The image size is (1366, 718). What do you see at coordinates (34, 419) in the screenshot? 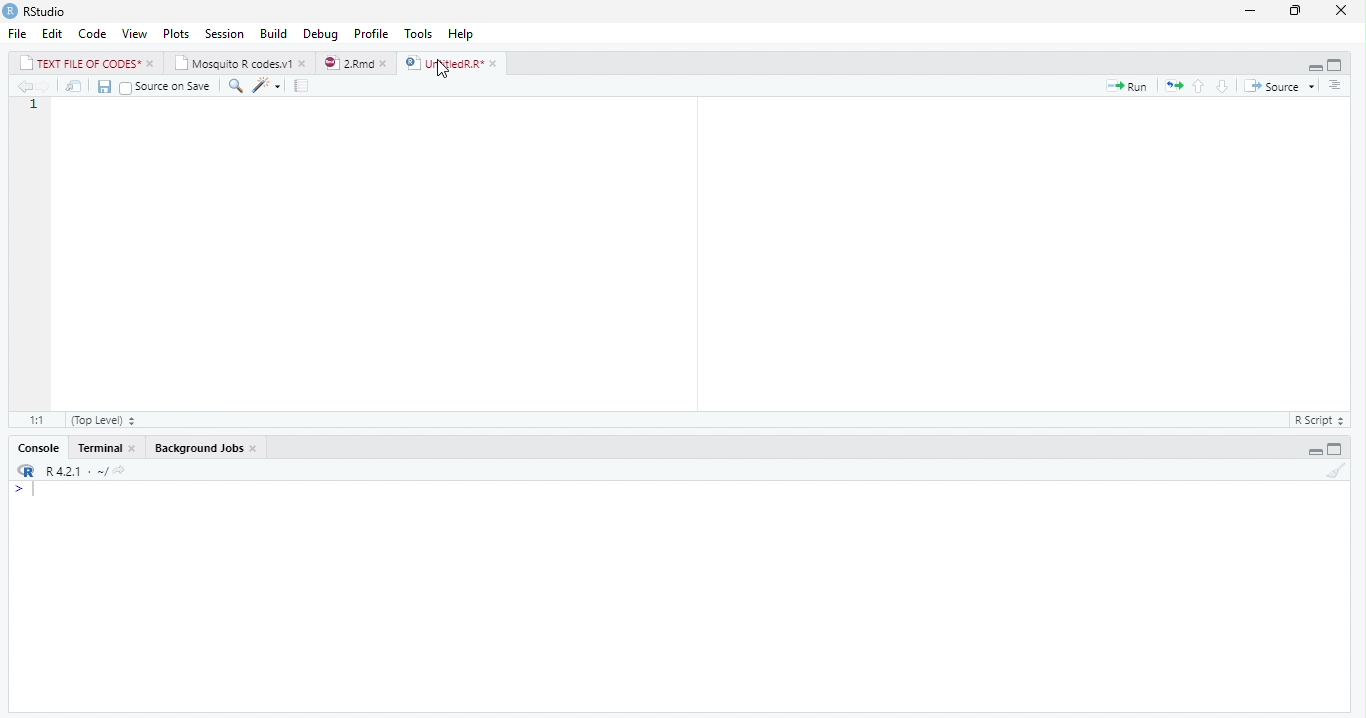
I see `1:1` at bounding box center [34, 419].